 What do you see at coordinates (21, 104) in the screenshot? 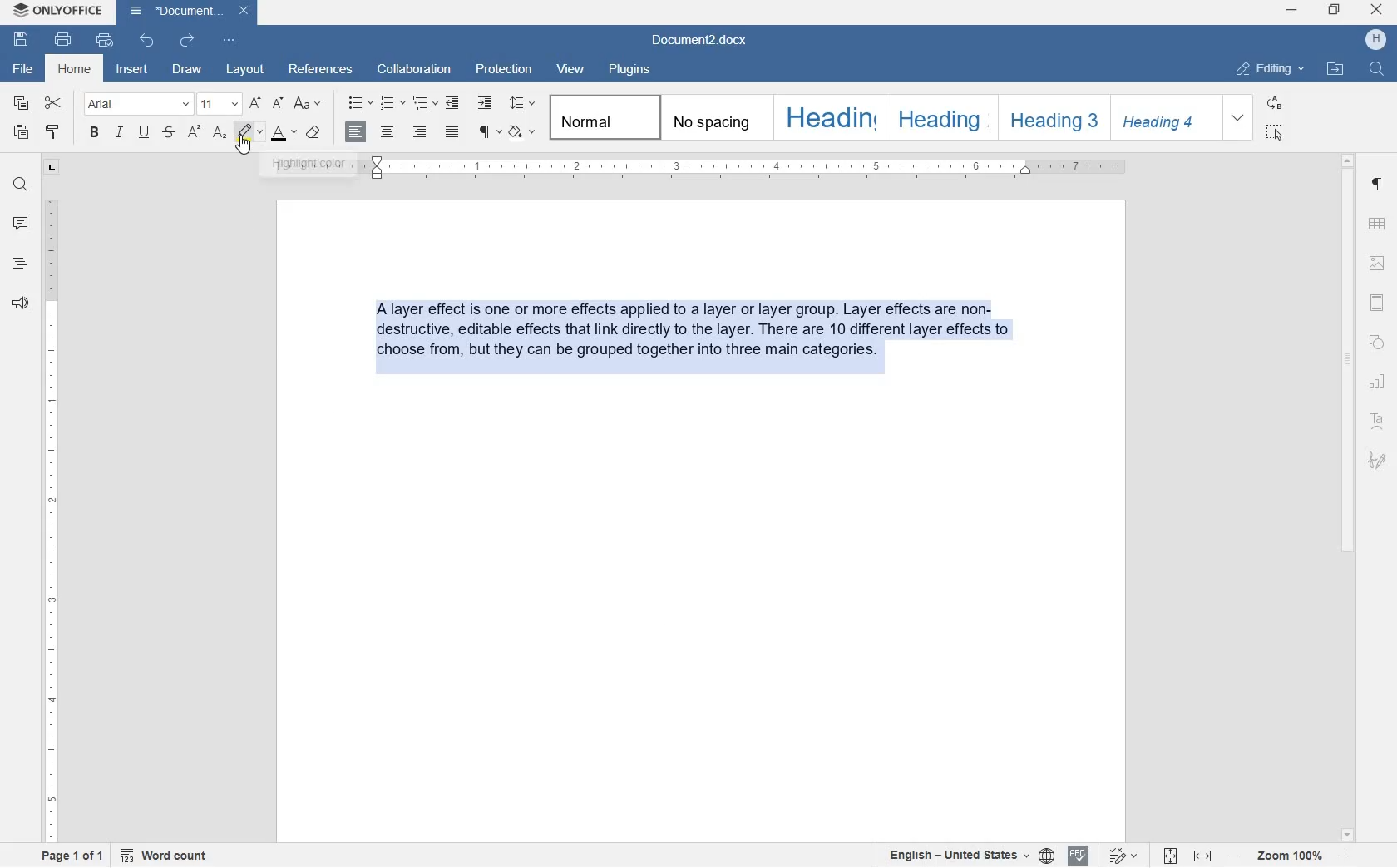
I see `COPY` at bounding box center [21, 104].